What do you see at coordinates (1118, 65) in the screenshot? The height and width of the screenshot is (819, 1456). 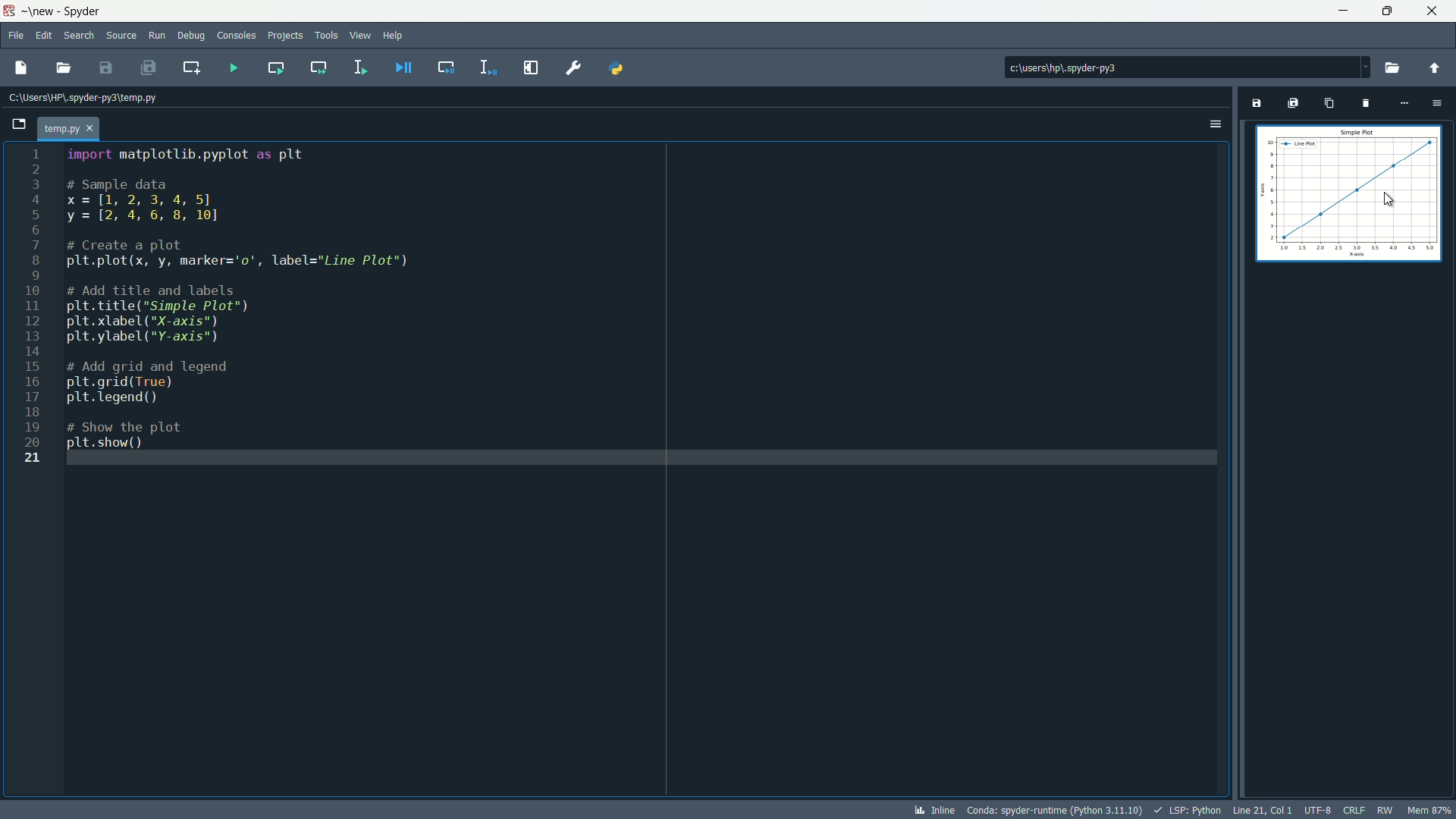 I see `directory` at bounding box center [1118, 65].